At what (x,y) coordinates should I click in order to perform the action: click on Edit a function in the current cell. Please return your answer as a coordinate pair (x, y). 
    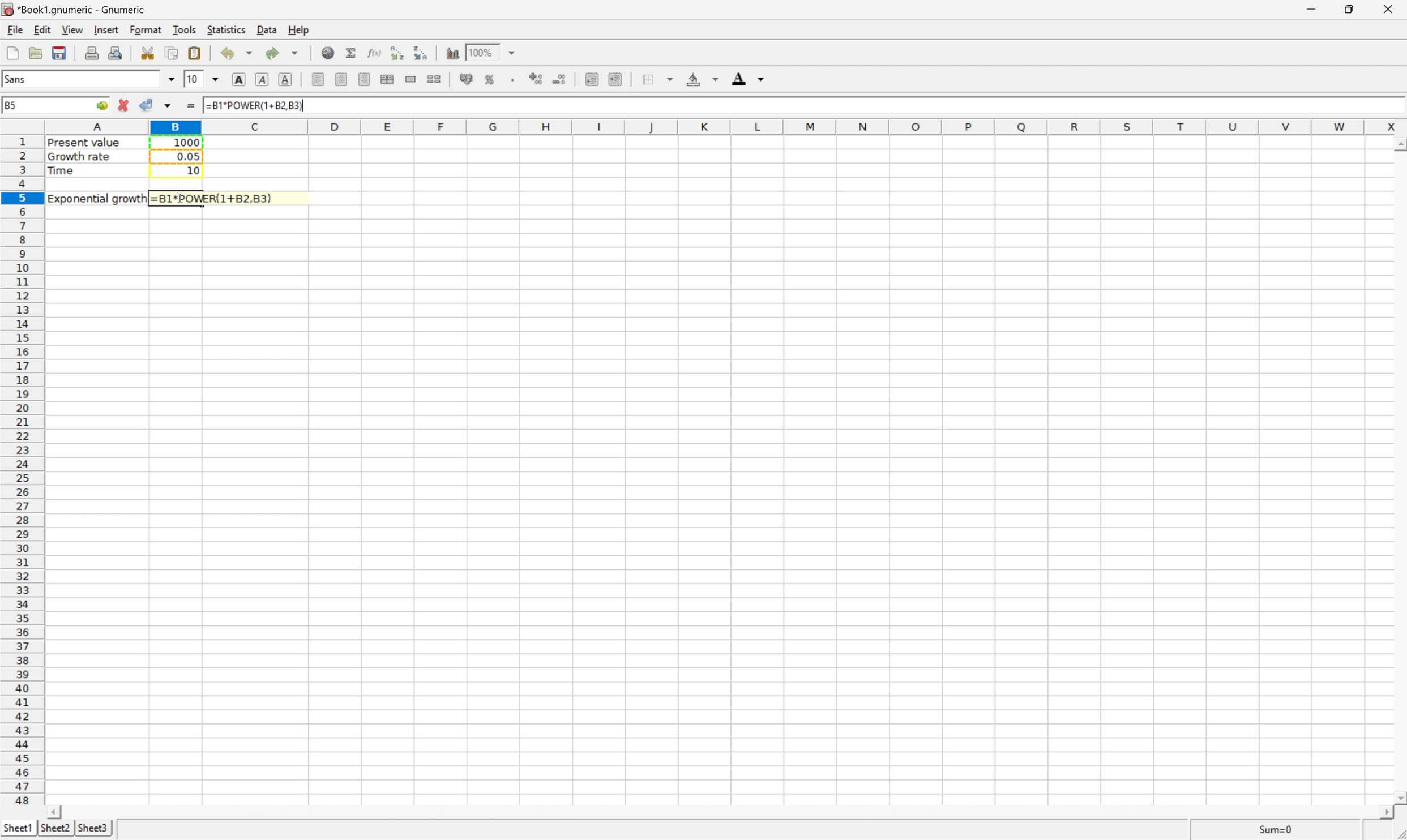
    Looking at the image, I should click on (375, 52).